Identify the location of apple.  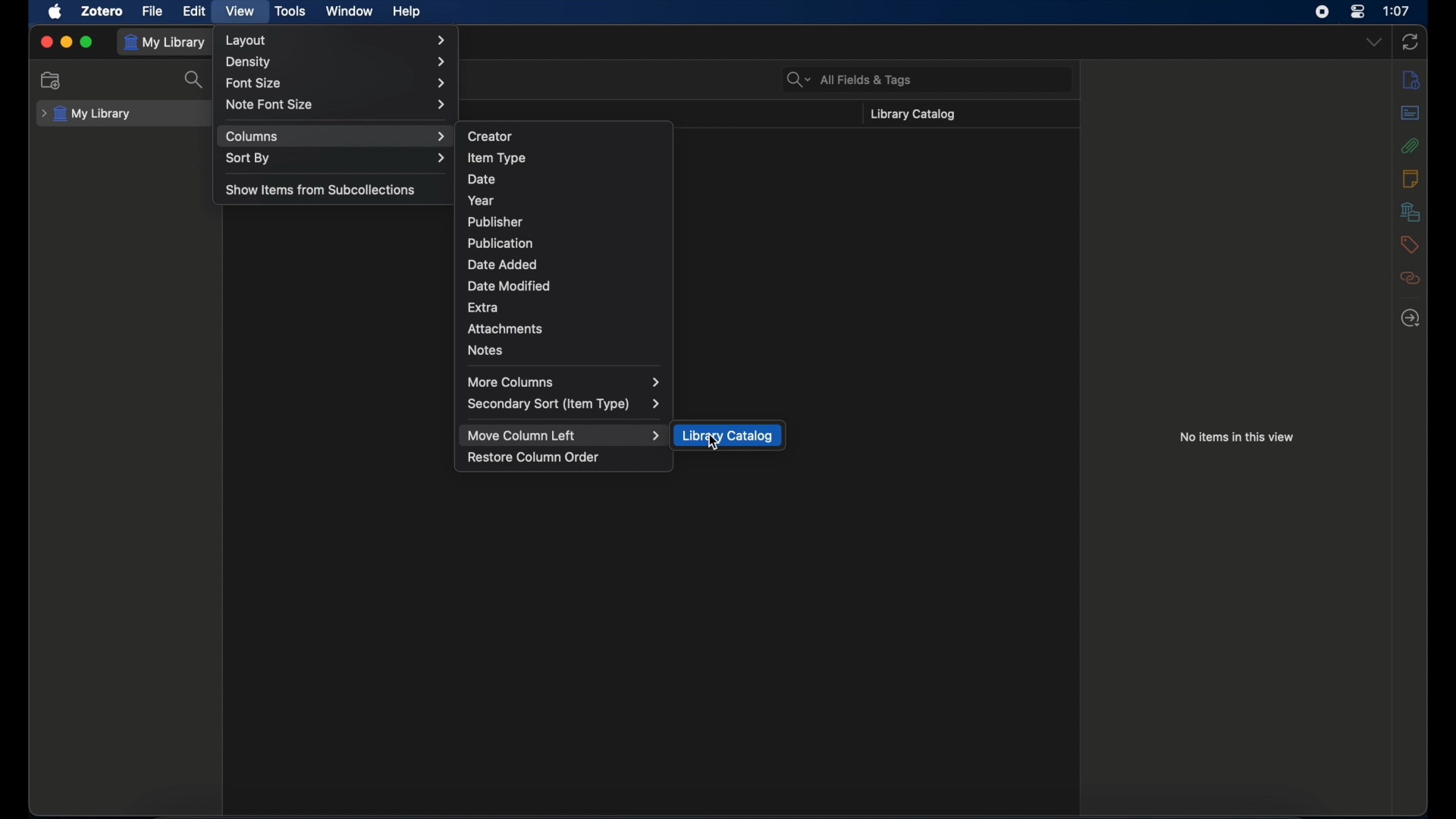
(55, 12).